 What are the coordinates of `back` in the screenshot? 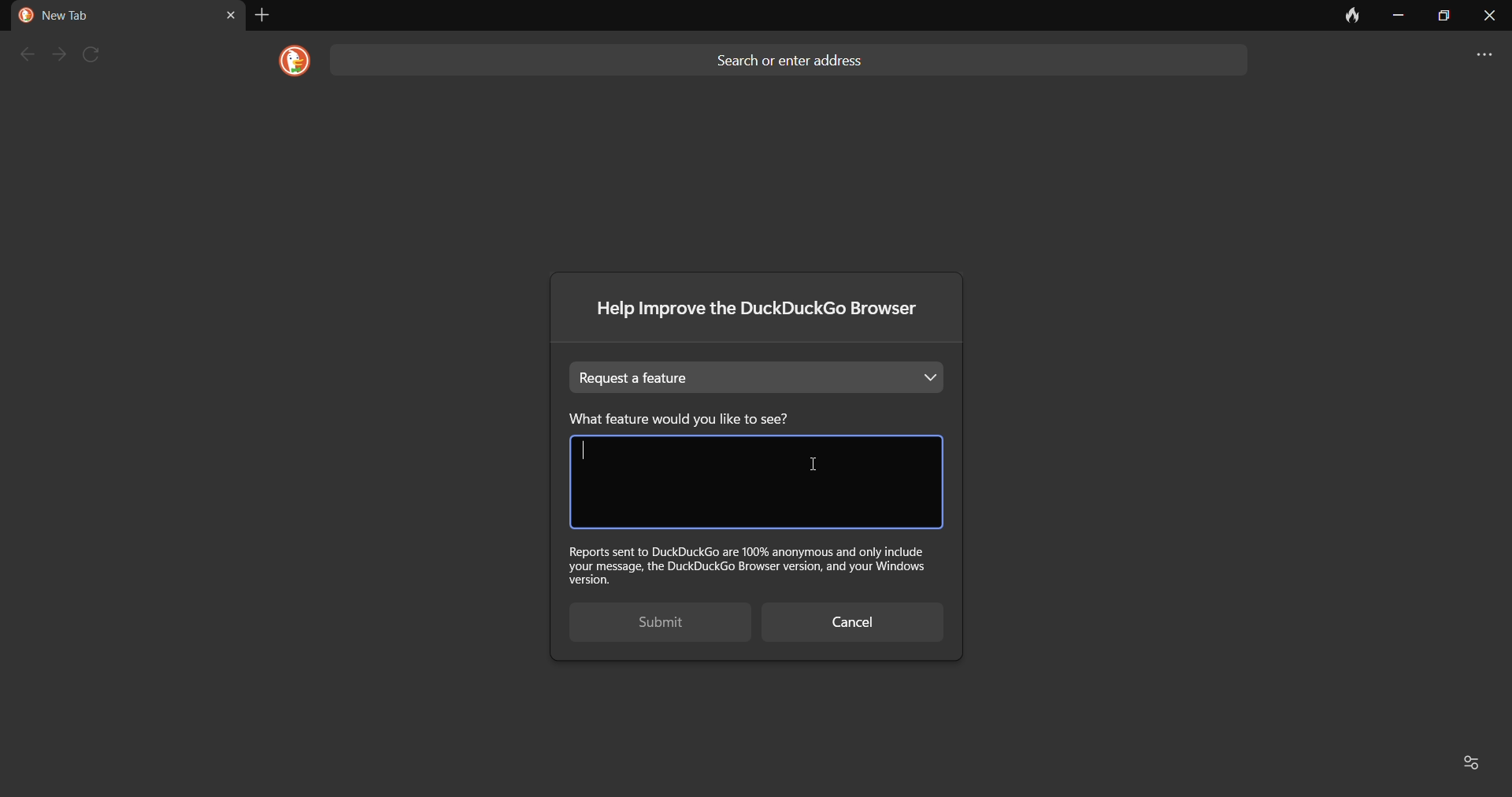 It's located at (25, 54).